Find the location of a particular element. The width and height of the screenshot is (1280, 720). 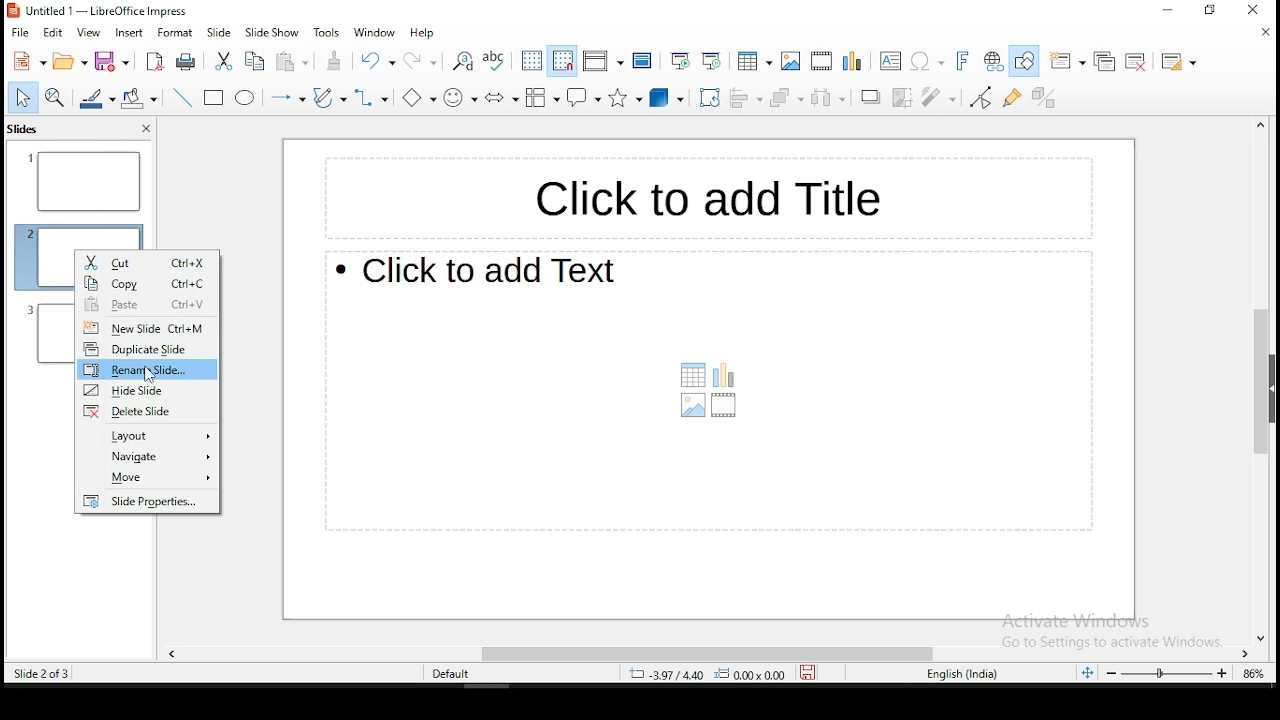

navigate is located at coordinates (149, 456).